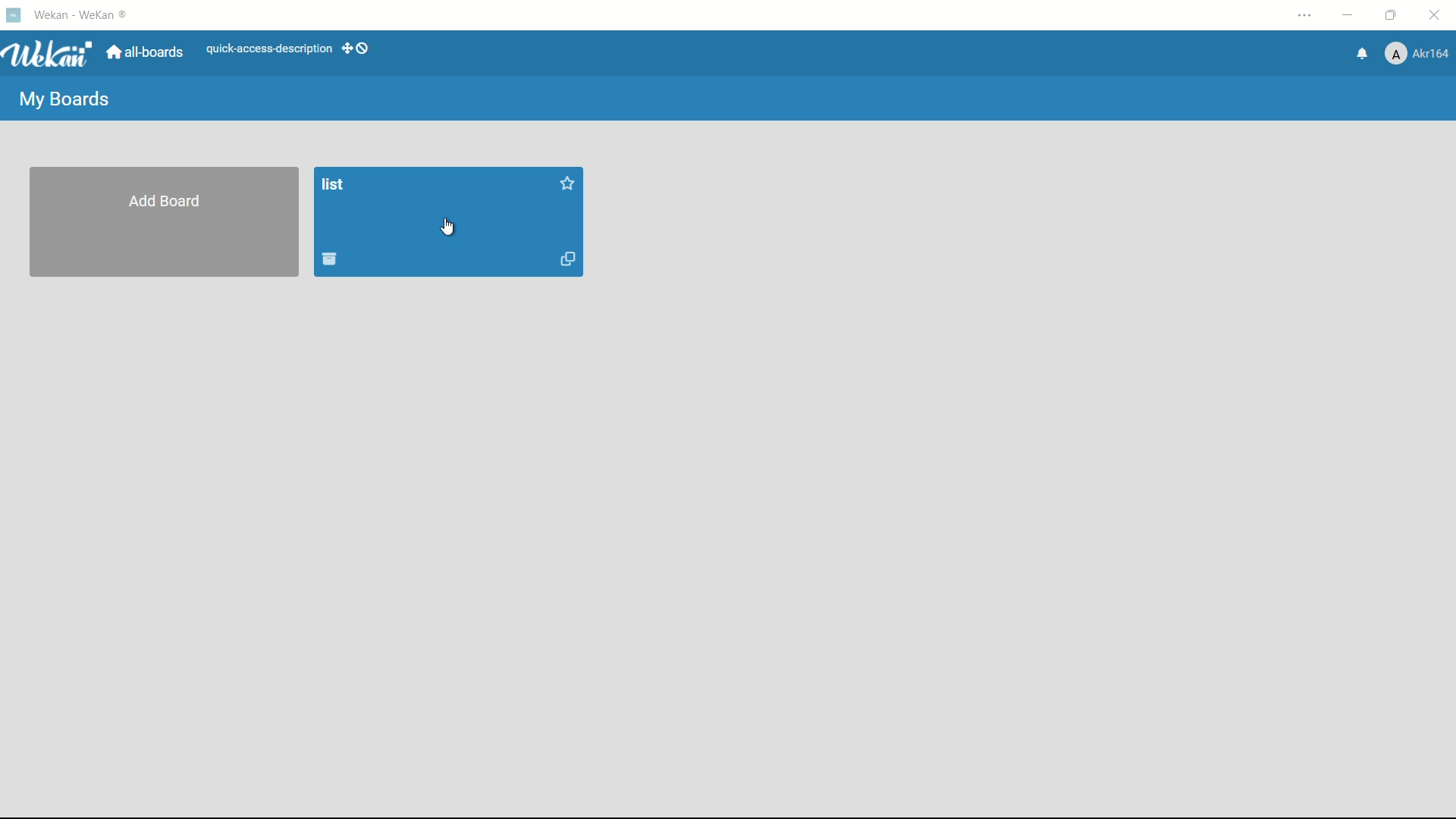  What do you see at coordinates (1435, 17) in the screenshot?
I see `close app` at bounding box center [1435, 17].